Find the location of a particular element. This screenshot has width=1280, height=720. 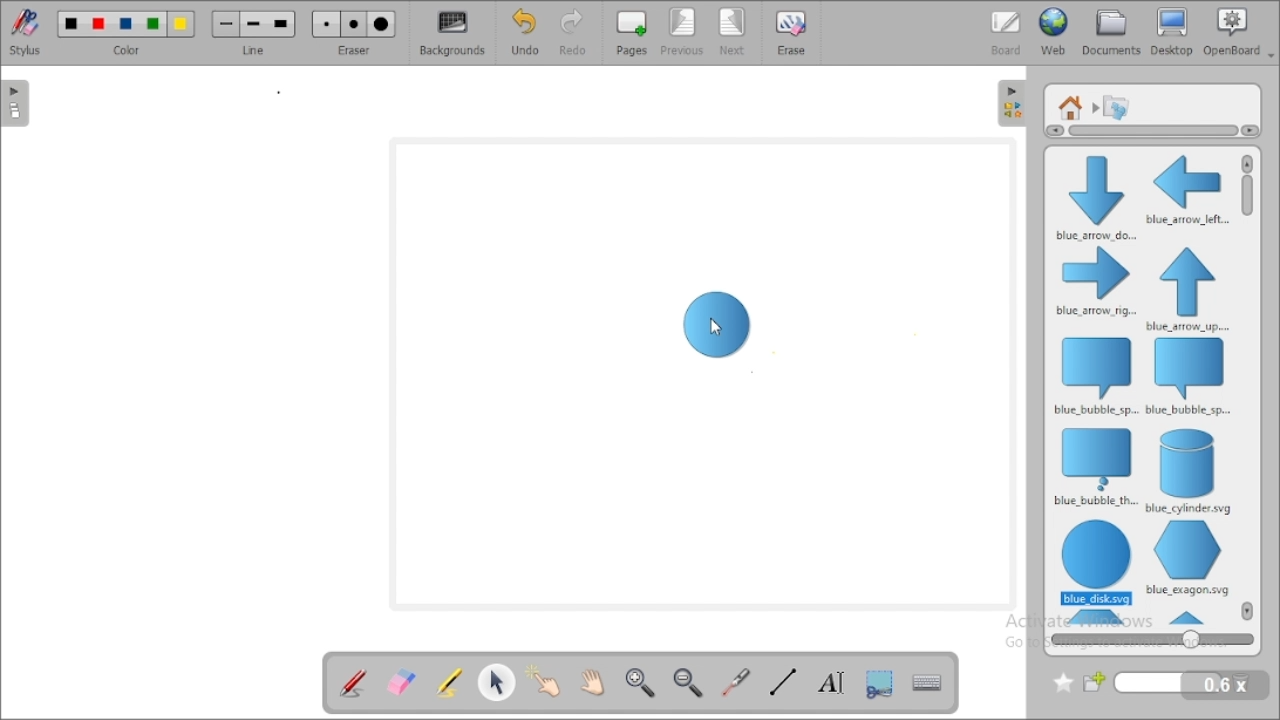

erase is located at coordinates (792, 32).